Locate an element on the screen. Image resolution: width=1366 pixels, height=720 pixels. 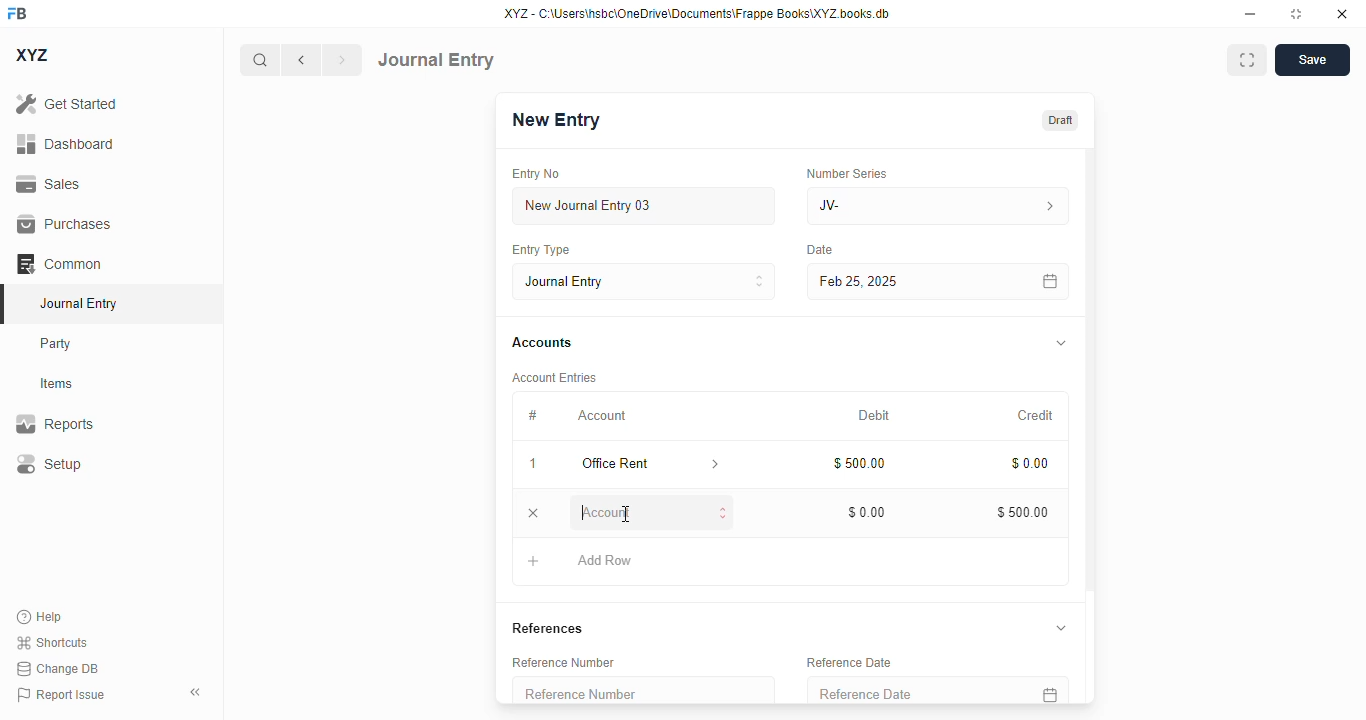
journal entry is located at coordinates (77, 303).